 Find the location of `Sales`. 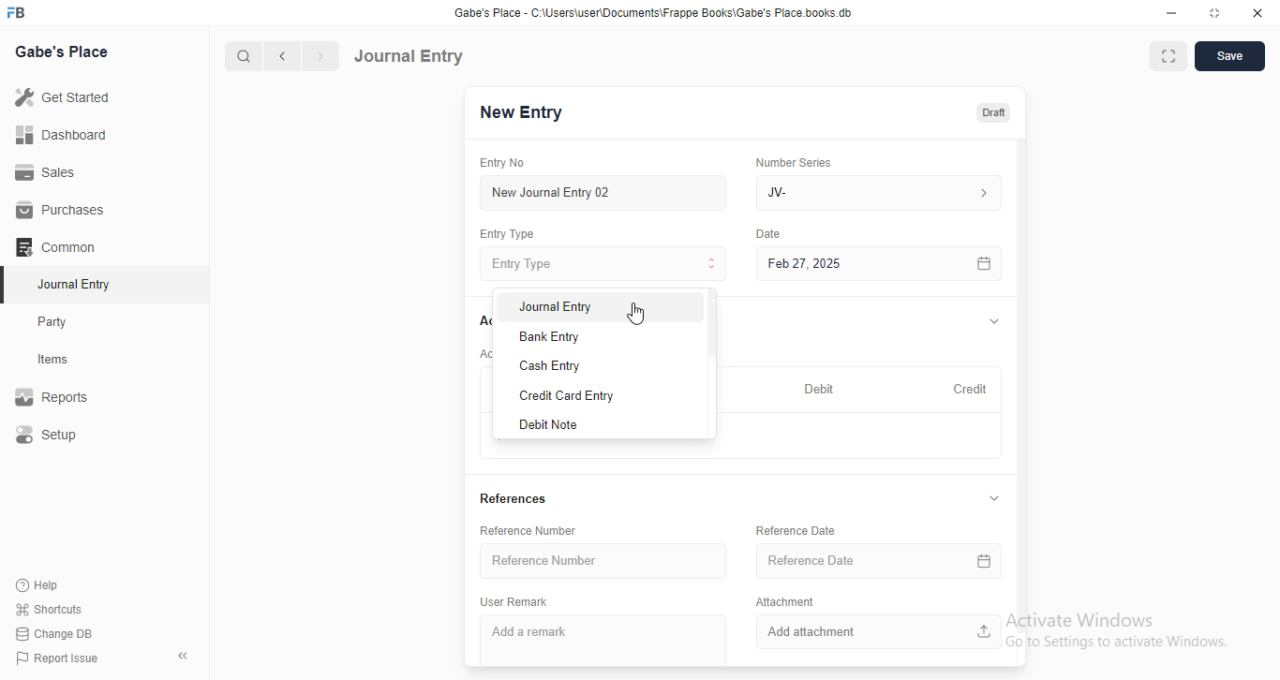

Sales is located at coordinates (49, 174).